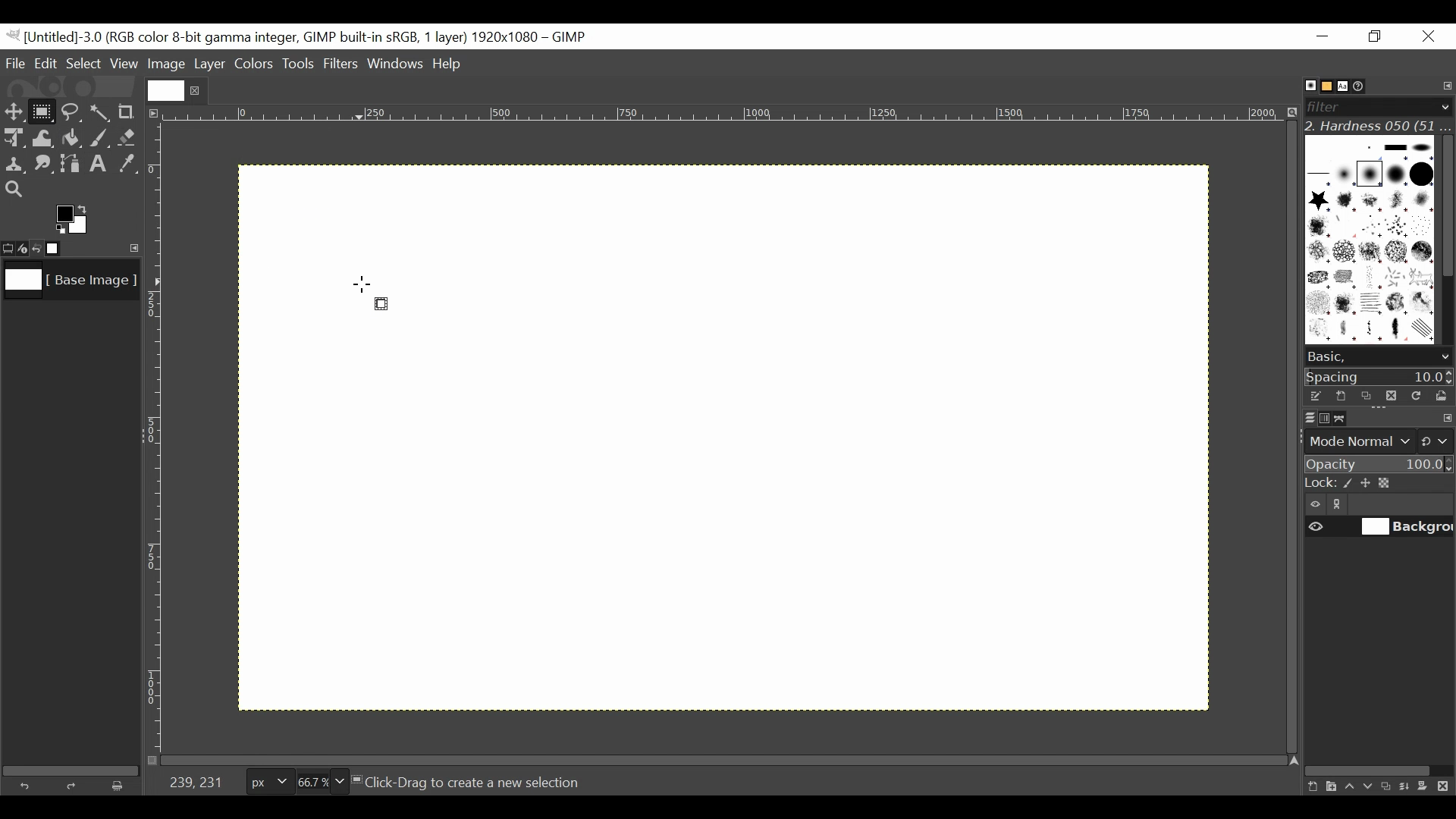  I want to click on Open, so click(1438, 396).